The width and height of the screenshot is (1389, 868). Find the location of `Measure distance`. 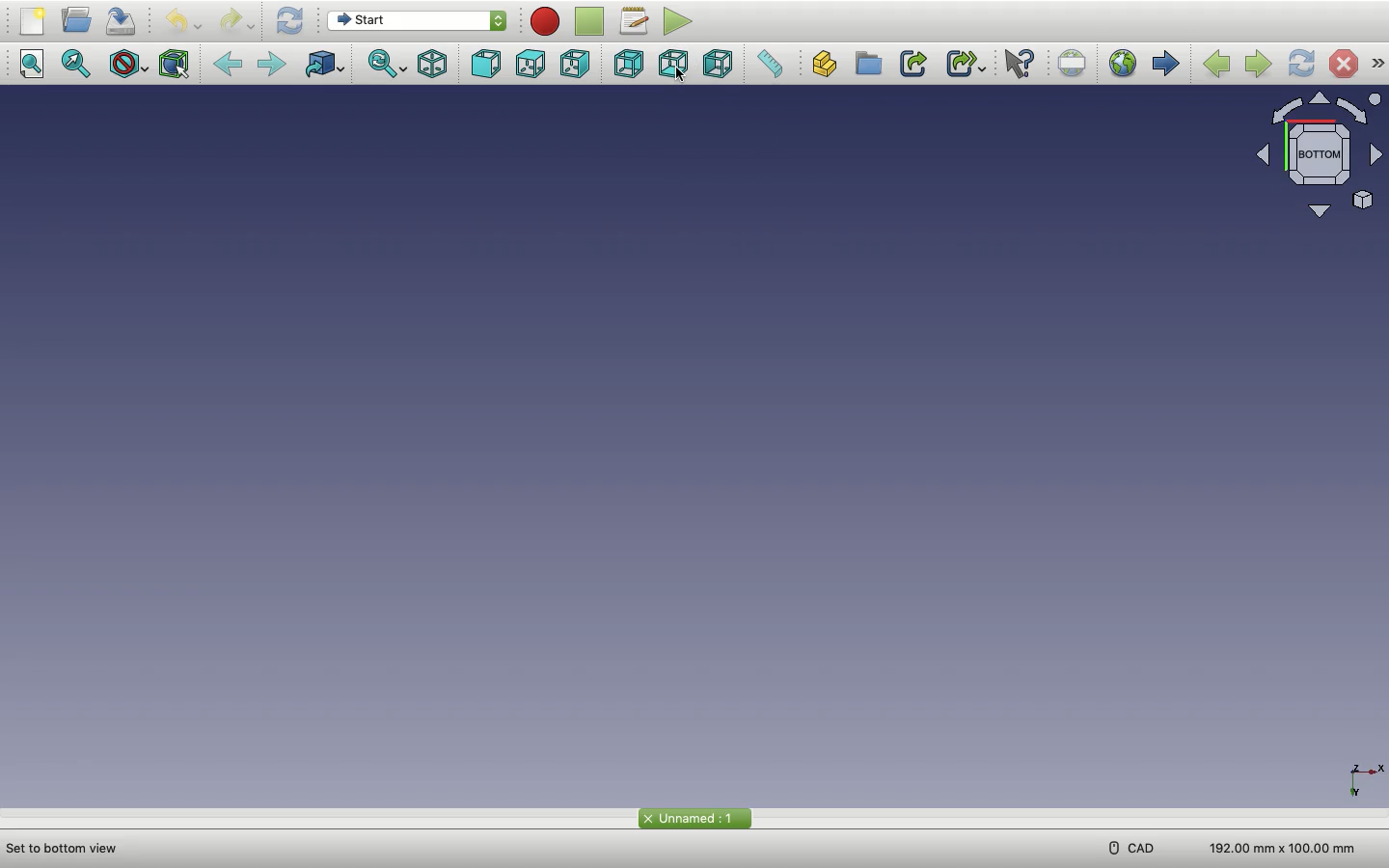

Measure distance is located at coordinates (775, 66).